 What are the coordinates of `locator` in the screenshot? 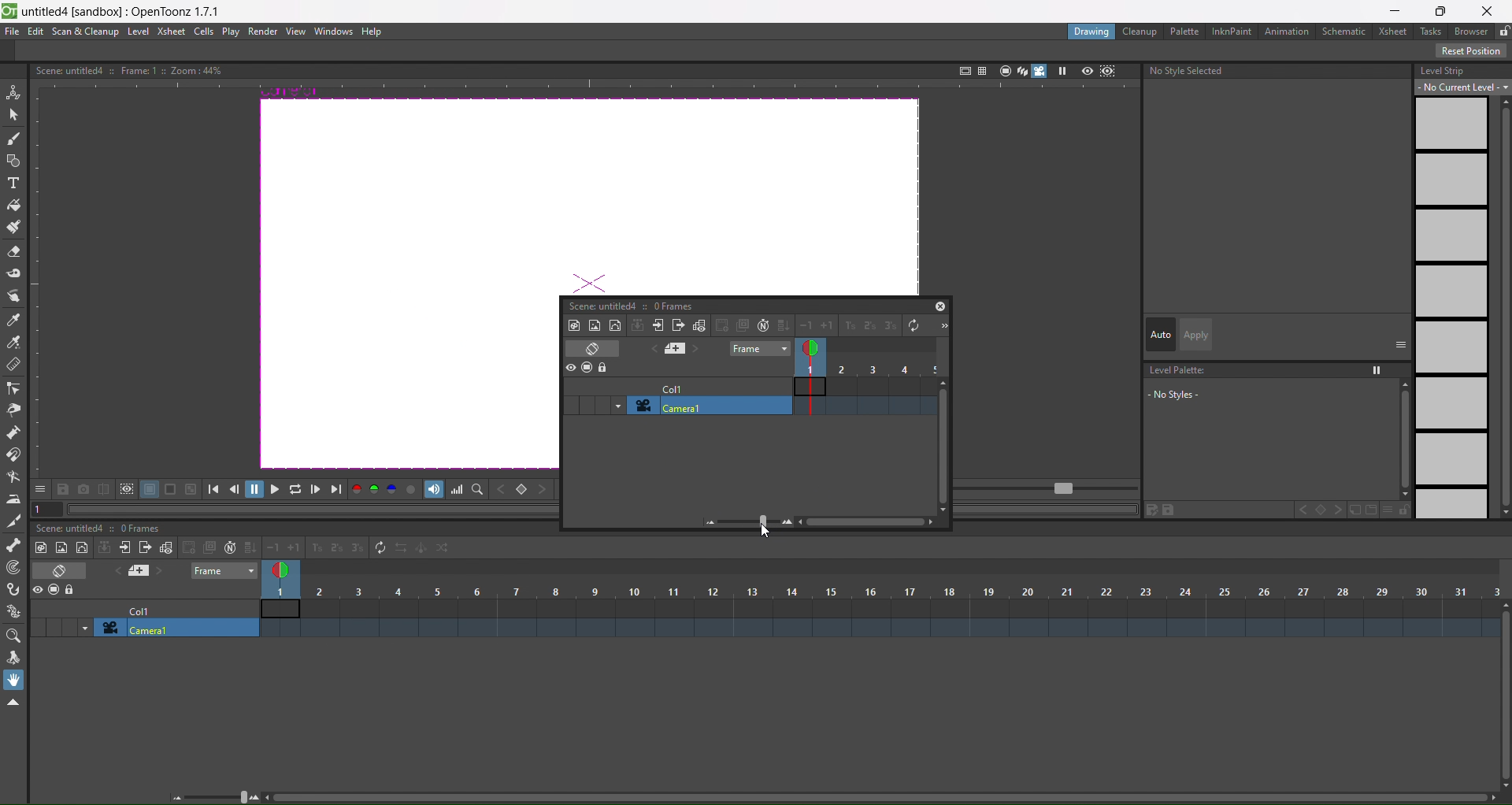 It's located at (478, 490).